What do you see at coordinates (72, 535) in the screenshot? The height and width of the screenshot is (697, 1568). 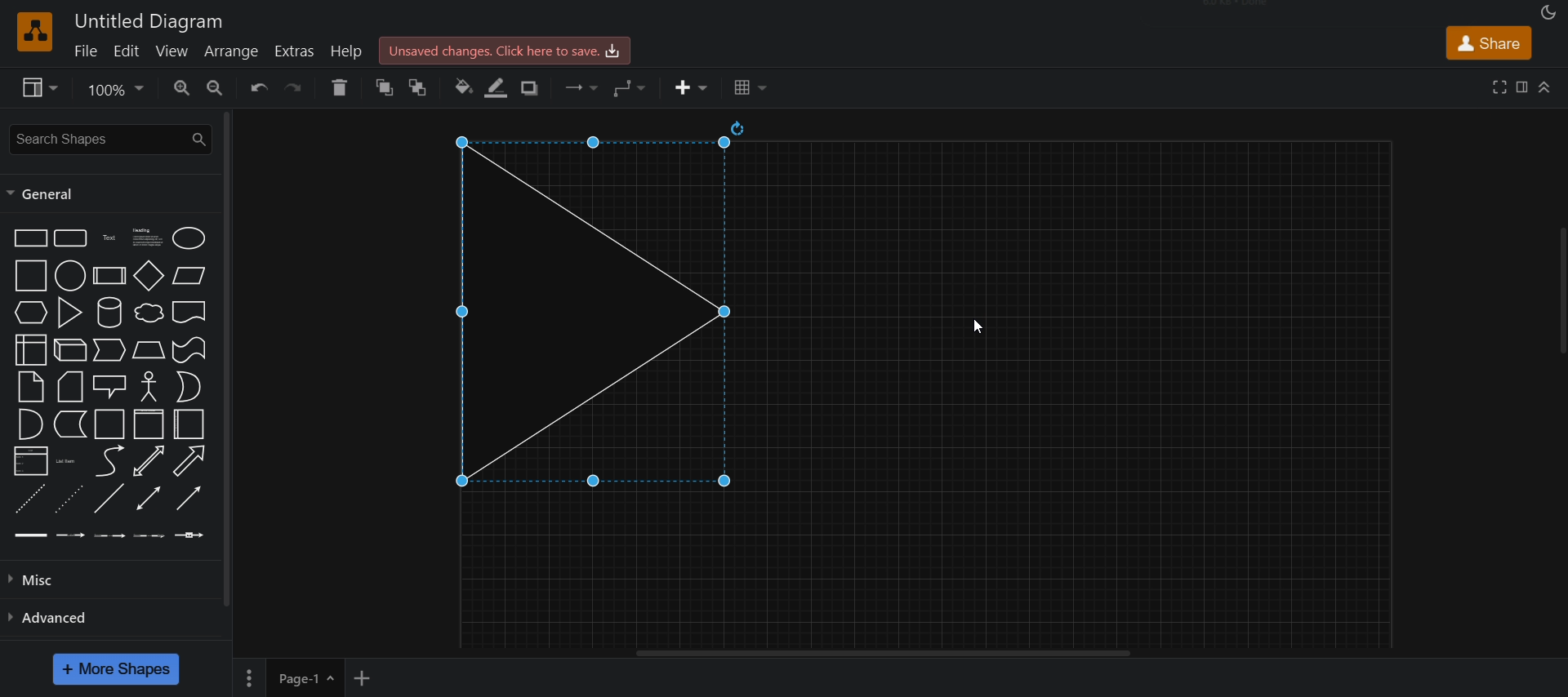 I see `connector with label` at bounding box center [72, 535].